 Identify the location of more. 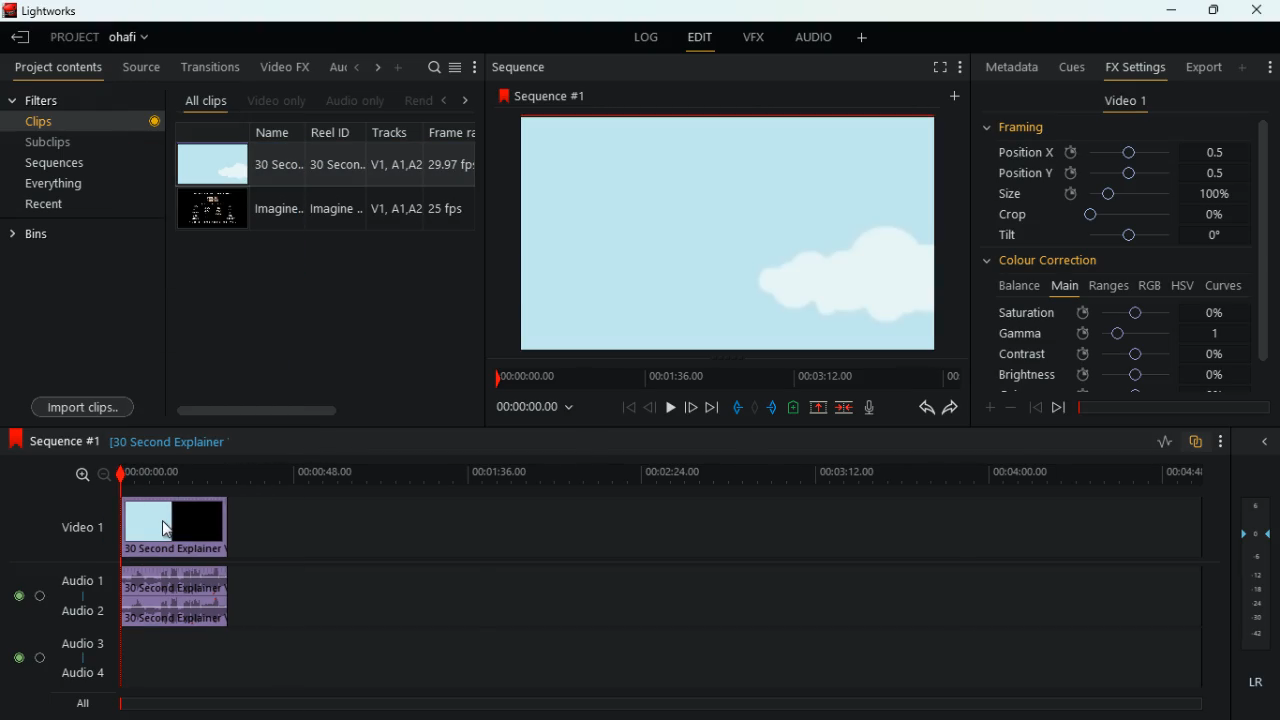
(952, 97).